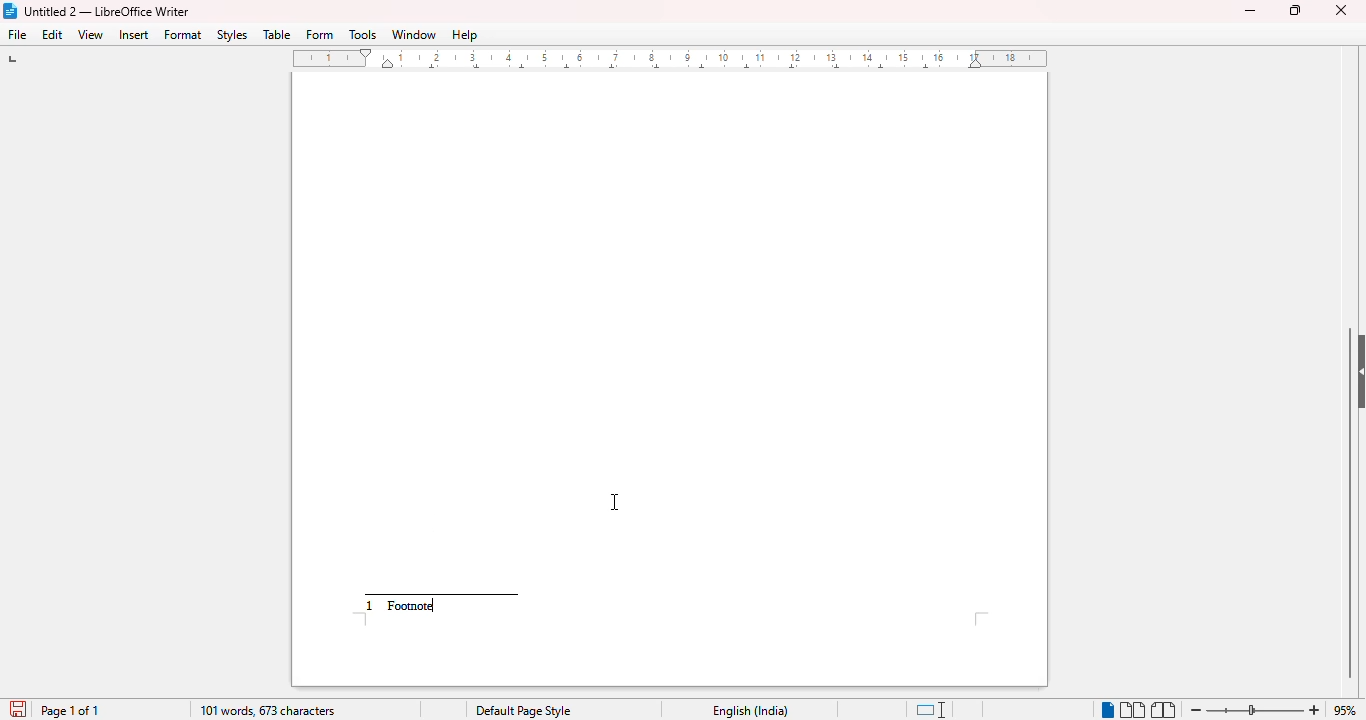 This screenshot has width=1366, height=720. I want to click on zoom out, so click(1197, 710).